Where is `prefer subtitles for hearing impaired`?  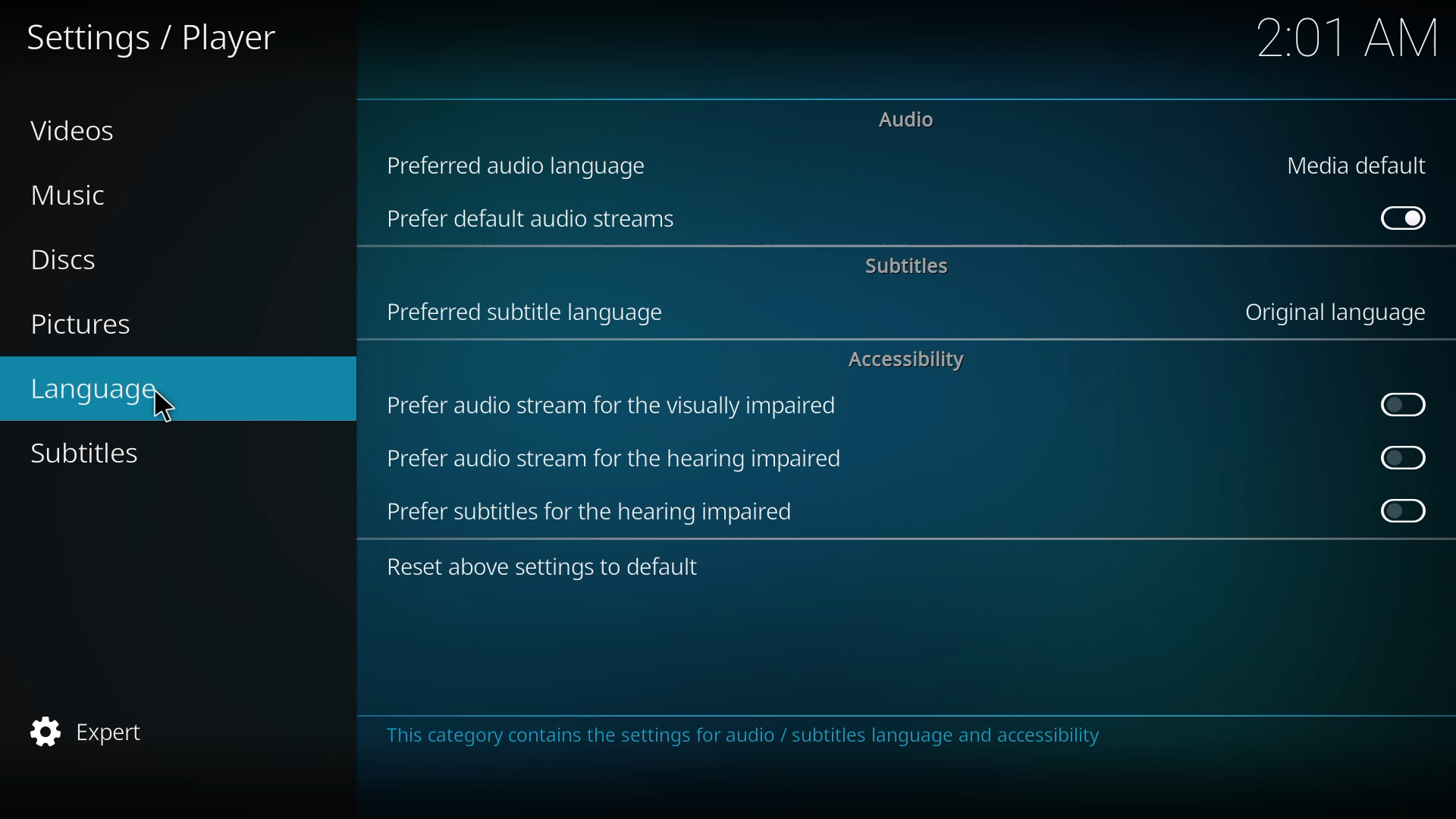 prefer subtitles for hearing impaired is located at coordinates (595, 512).